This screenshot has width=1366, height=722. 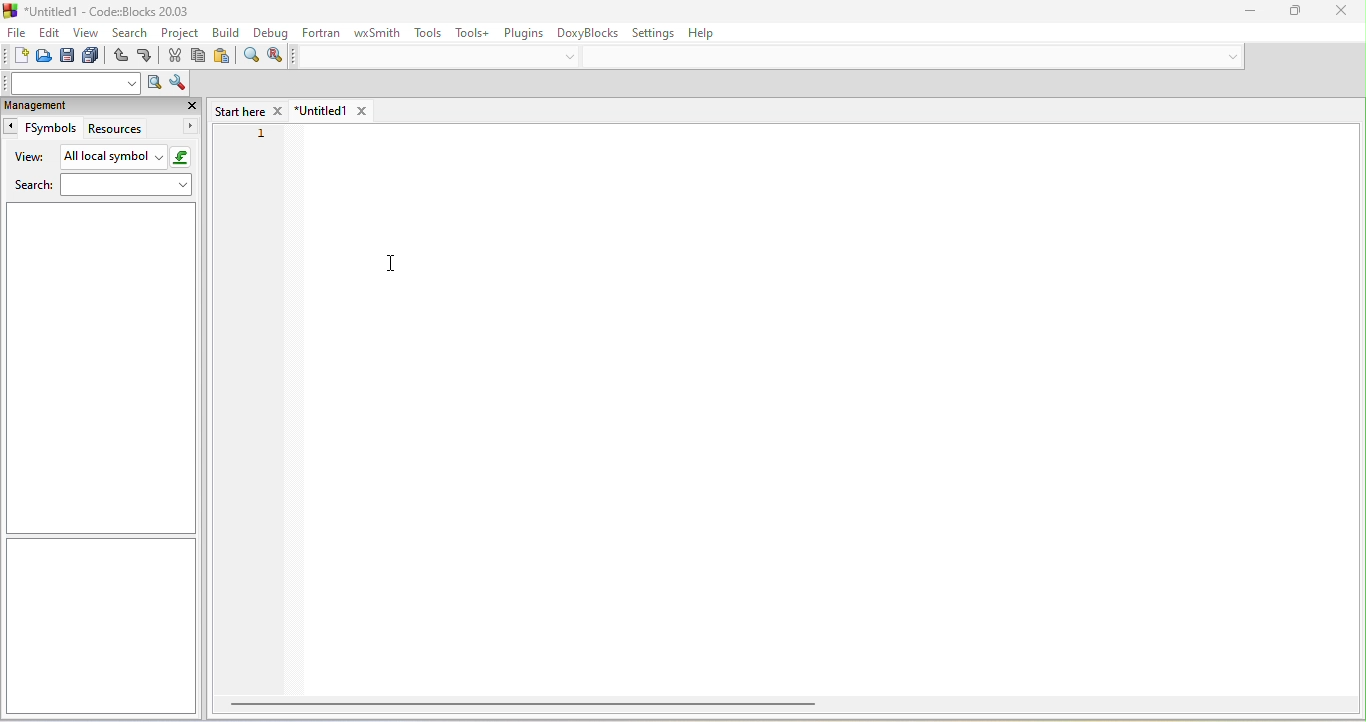 I want to click on minimize, so click(x=1243, y=13).